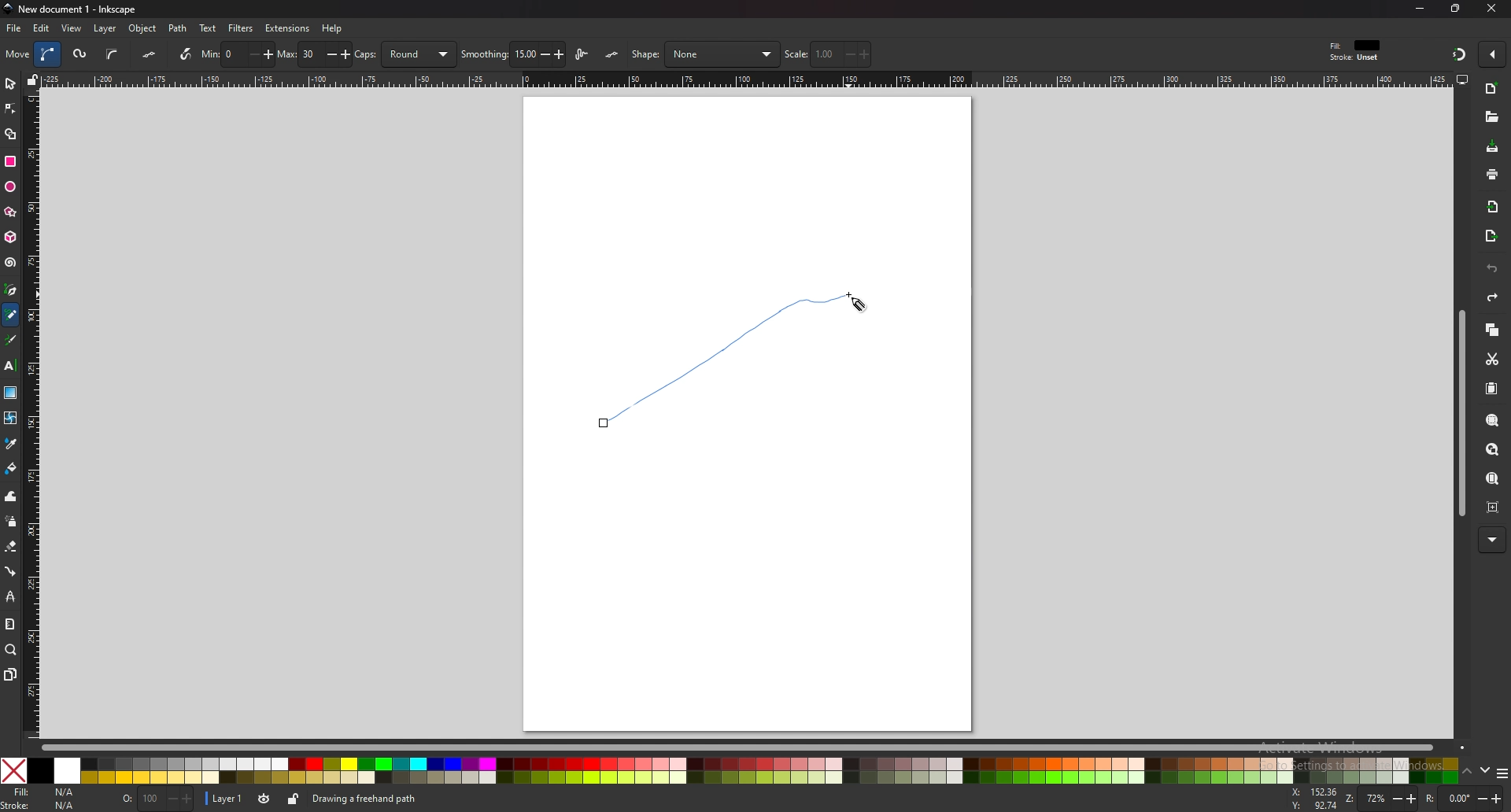 This screenshot has width=1511, height=812. I want to click on more colors, so click(1502, 773).